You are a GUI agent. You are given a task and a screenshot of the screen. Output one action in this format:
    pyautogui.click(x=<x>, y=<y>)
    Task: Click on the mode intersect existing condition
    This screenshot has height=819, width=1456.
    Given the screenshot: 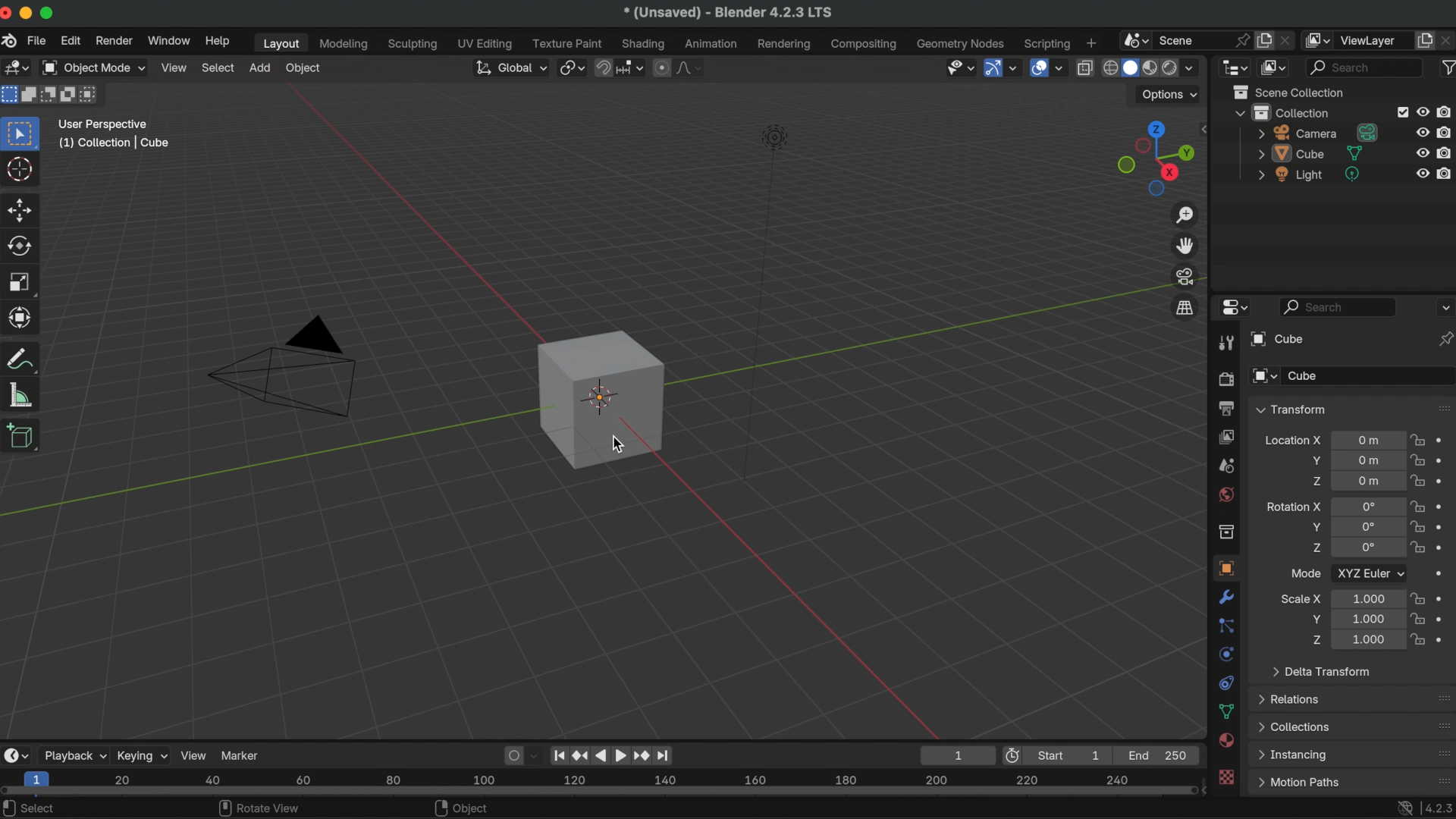 What is the action you would take?
    pyautogui.click(x=92, y=94)
    